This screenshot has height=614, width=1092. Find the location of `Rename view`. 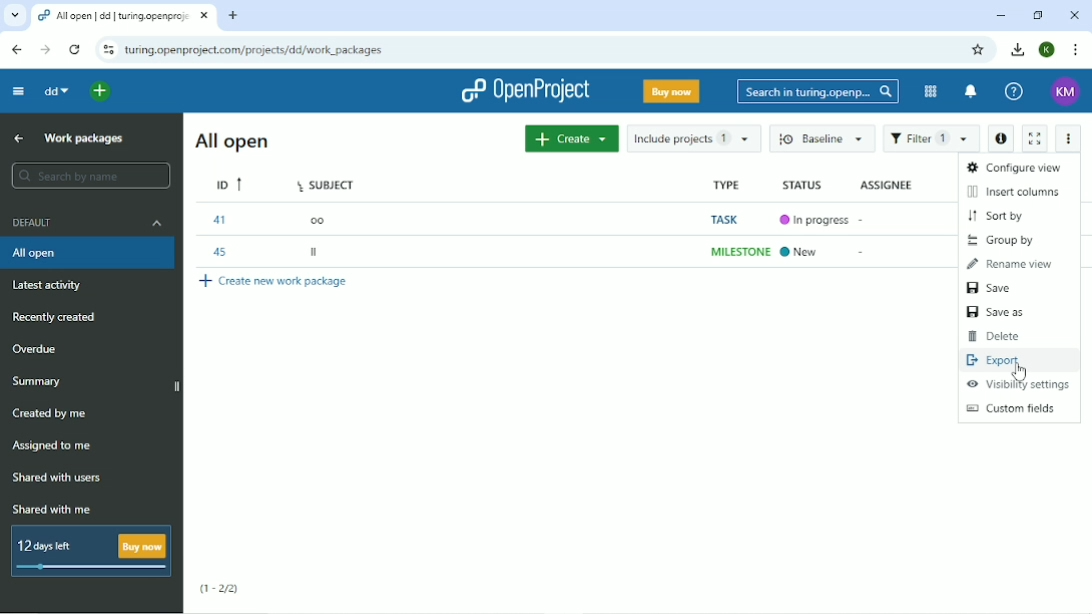

Rename view is located at coordinates (1010, 264).